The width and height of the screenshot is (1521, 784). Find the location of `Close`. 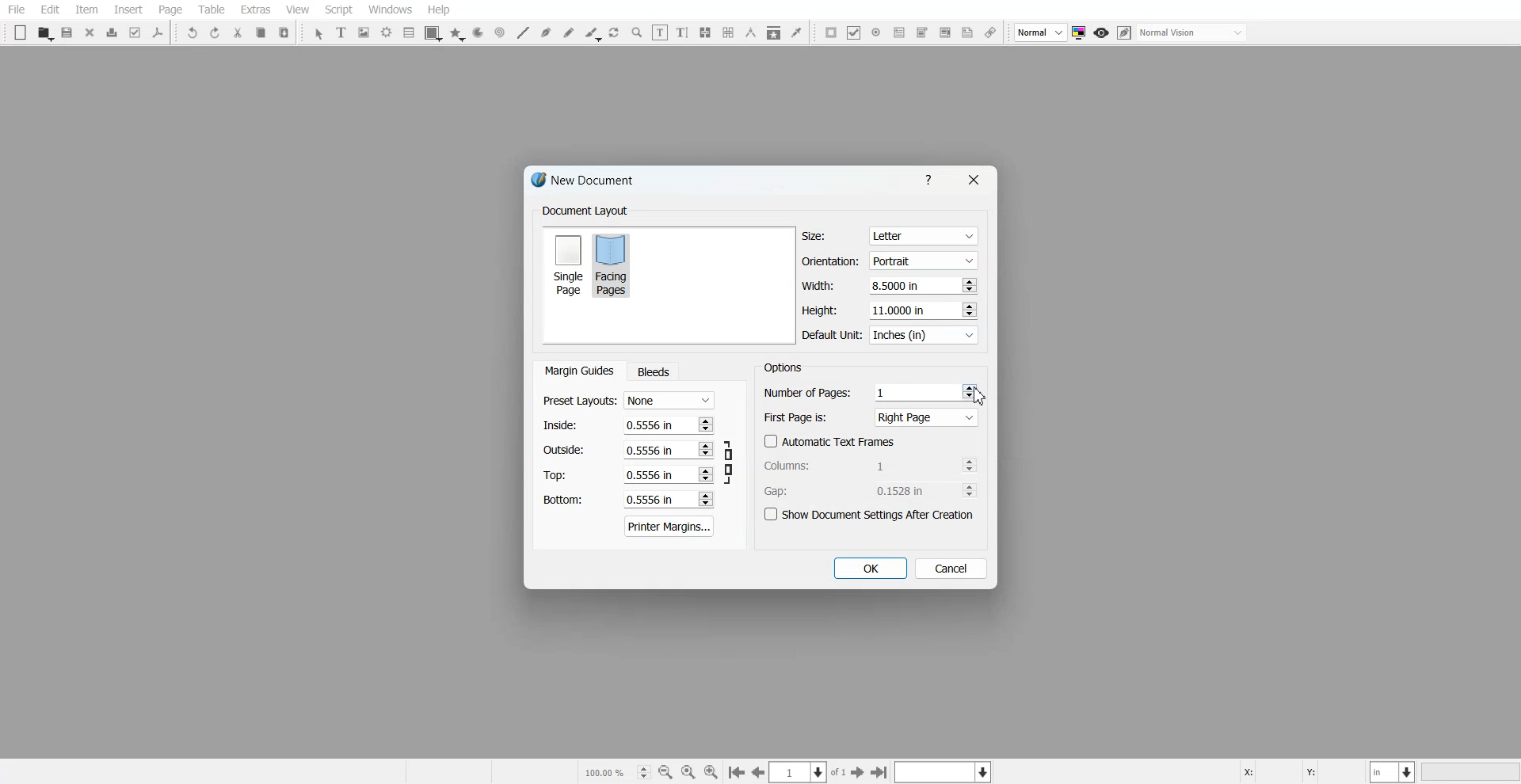

Close is located at coordinates (90, 32).